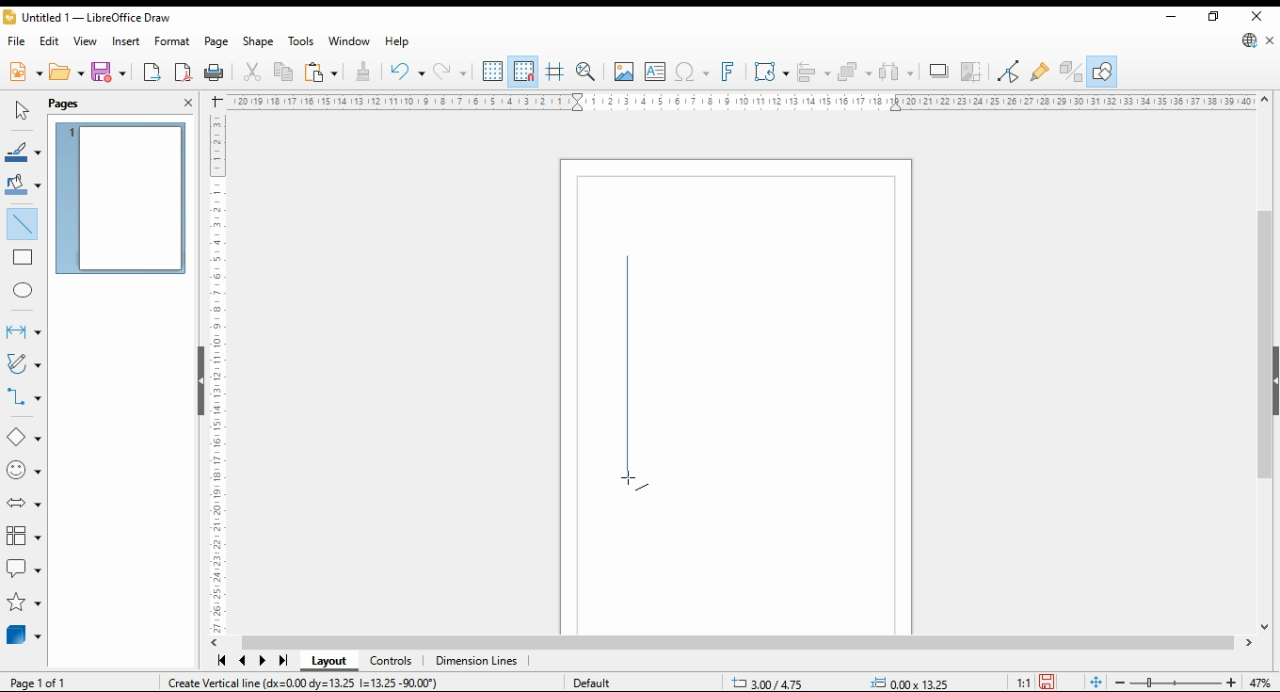 The image size is (1280, 692). I want to click on page 1 of 1, so click(39, 682).